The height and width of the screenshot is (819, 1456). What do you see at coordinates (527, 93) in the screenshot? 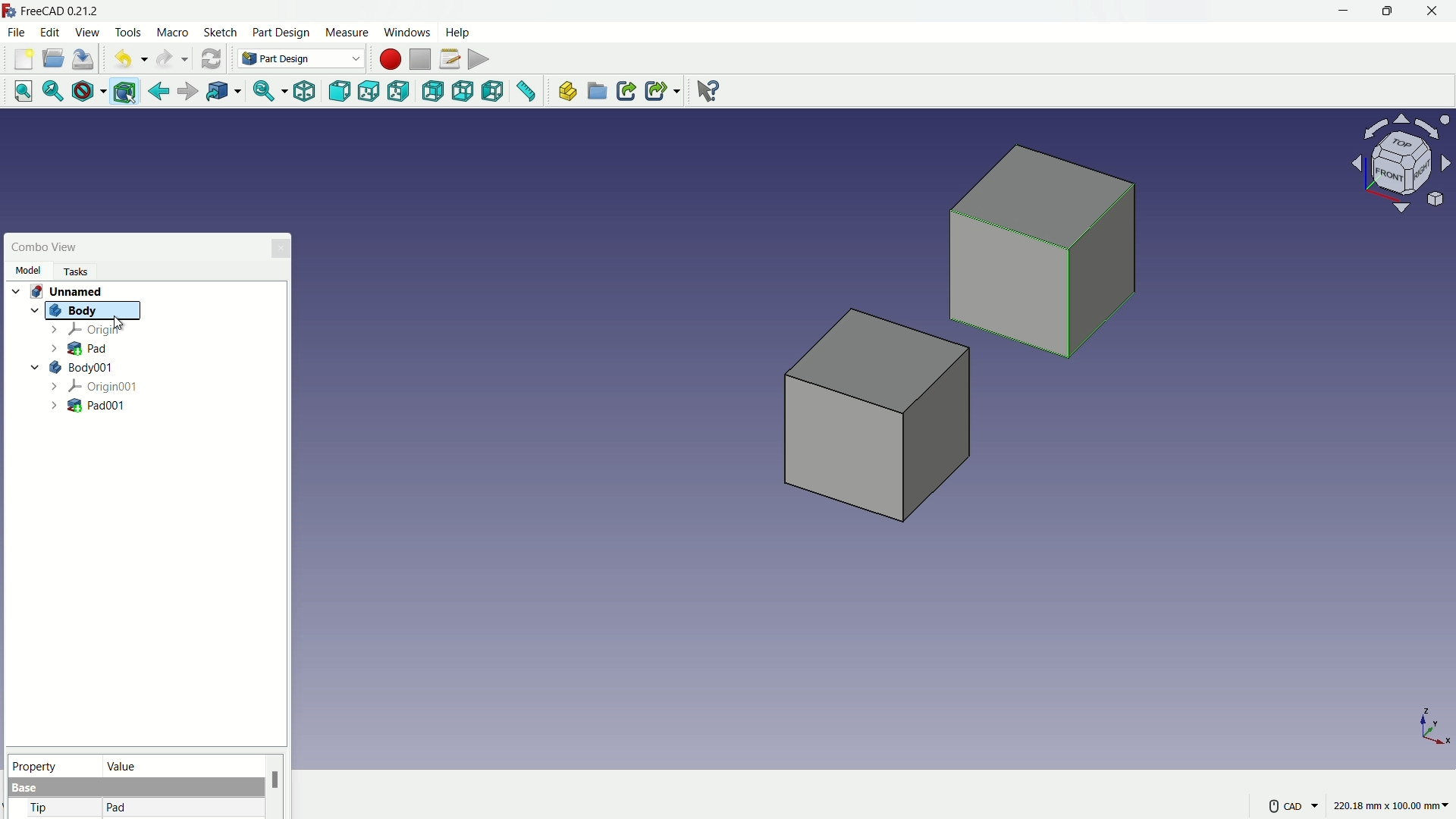
I see `measure` at bounding box center [527, 93].